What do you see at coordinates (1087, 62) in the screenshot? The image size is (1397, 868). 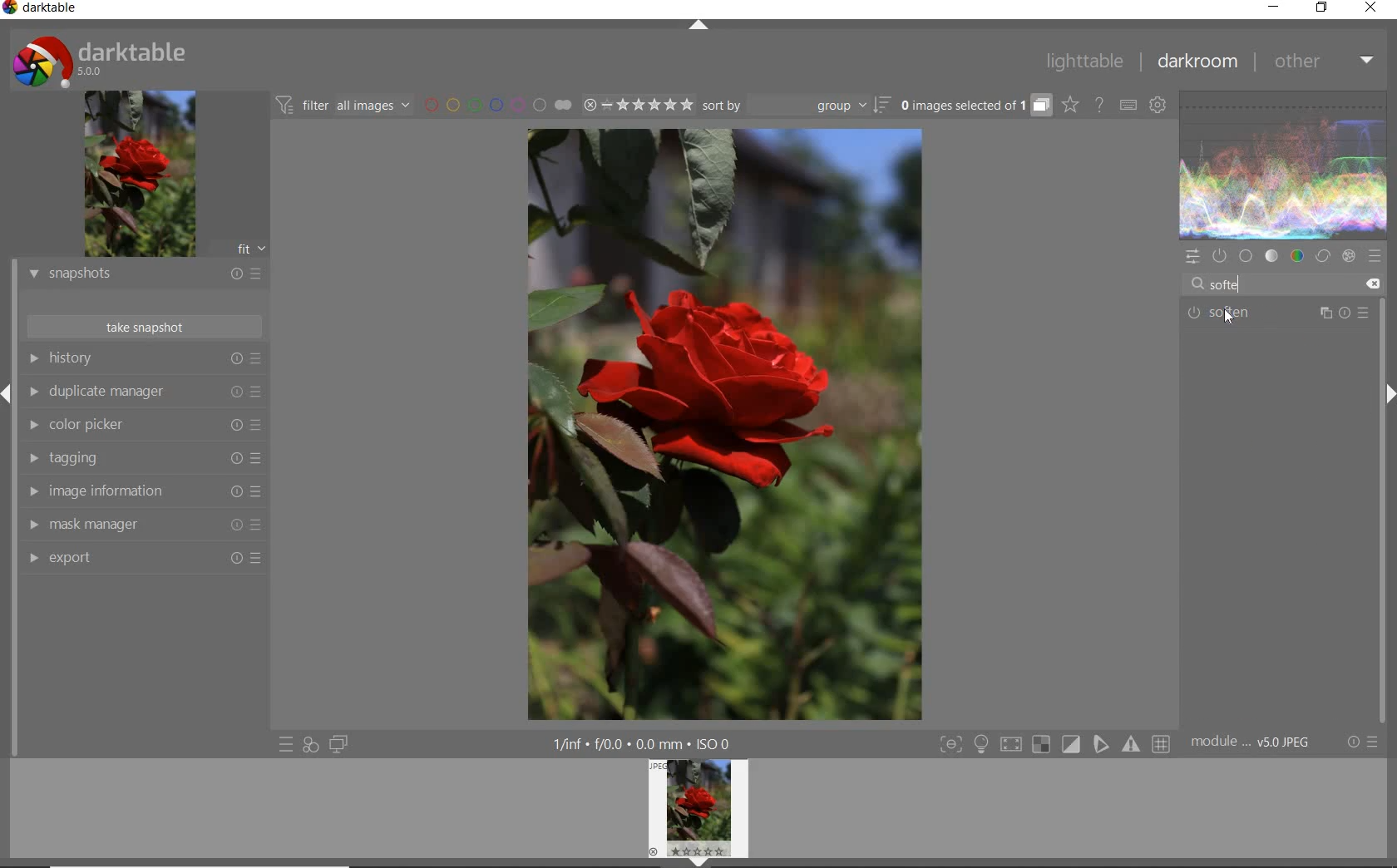 I see `lighttable` at bounding box center [1087, 62].